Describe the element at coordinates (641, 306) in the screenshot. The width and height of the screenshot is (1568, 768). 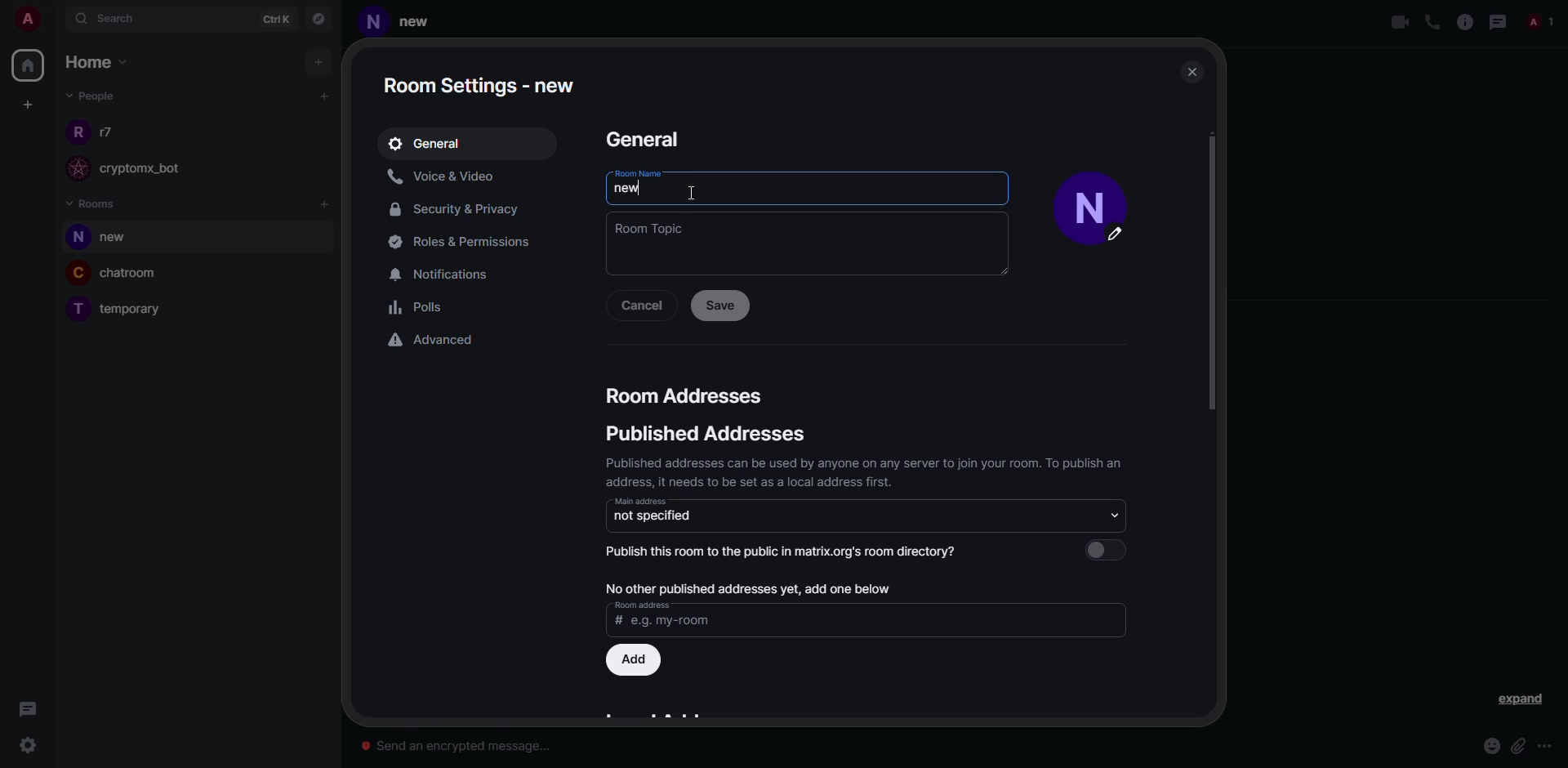
I see `cancel` at that location.